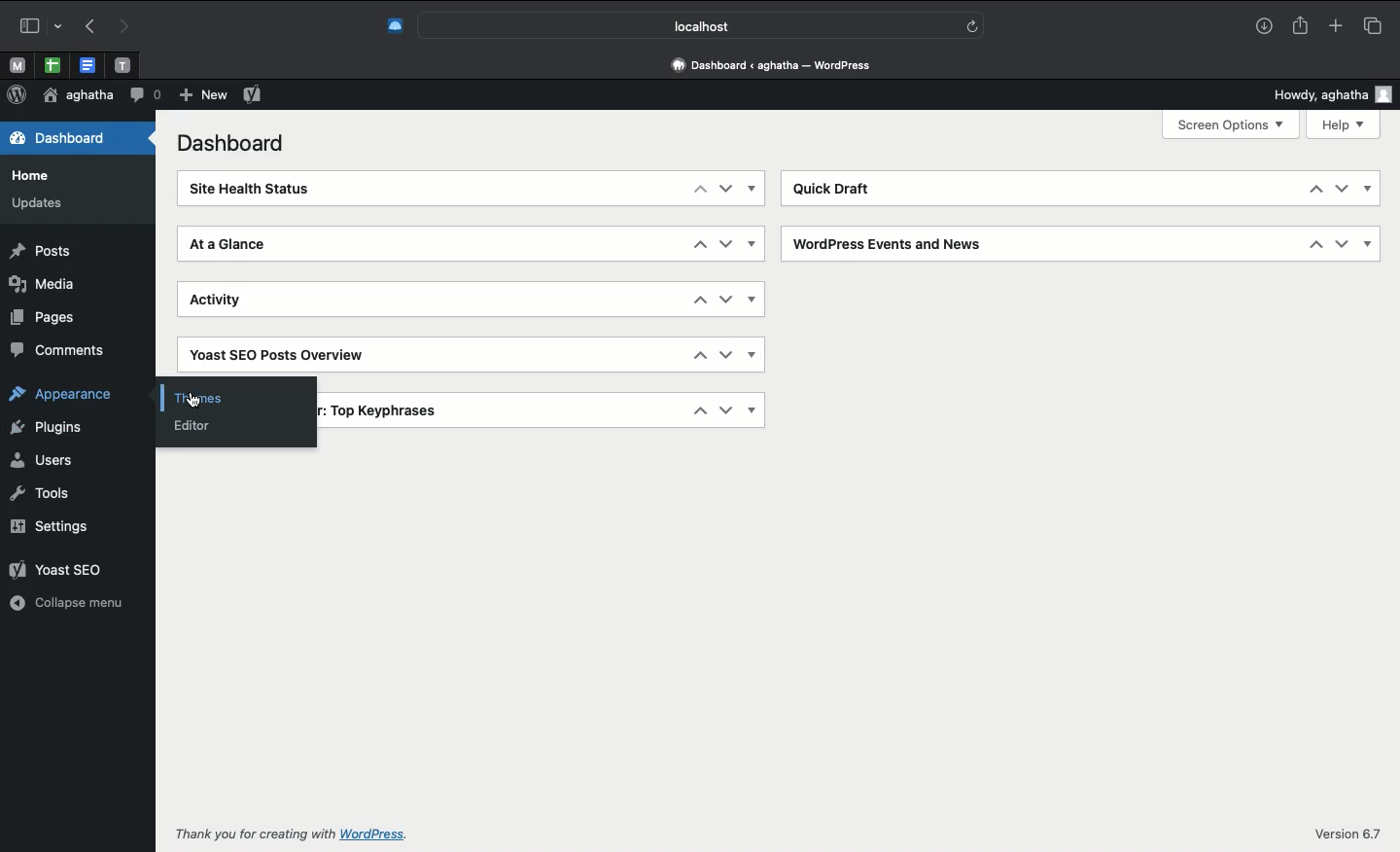 The image size is (1400, 852). Describe the element at coordinates (393, 25) in the screenshot. I see `Extensions` at that location.